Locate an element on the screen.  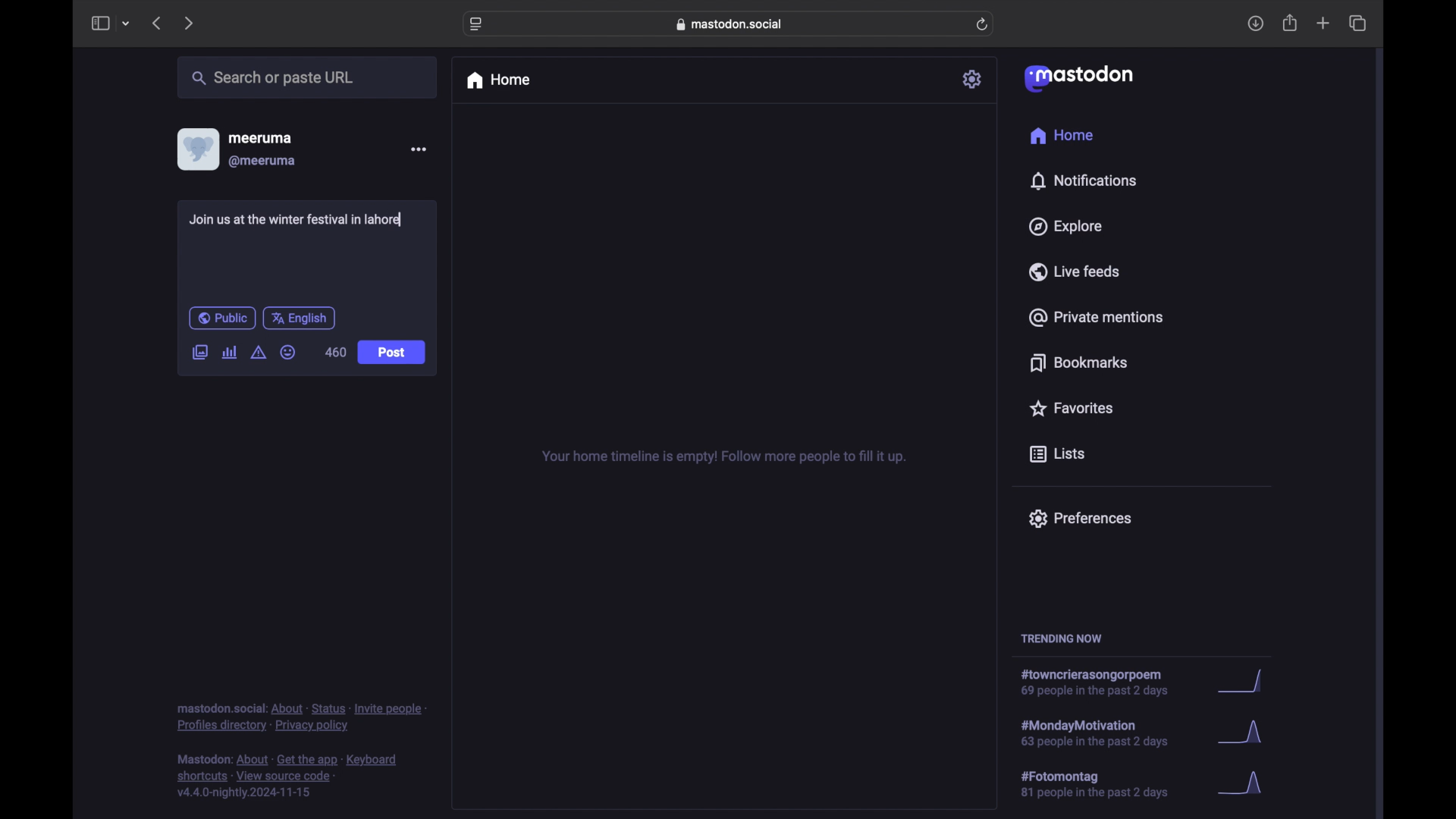
home is located at coordinates (1061, 136).